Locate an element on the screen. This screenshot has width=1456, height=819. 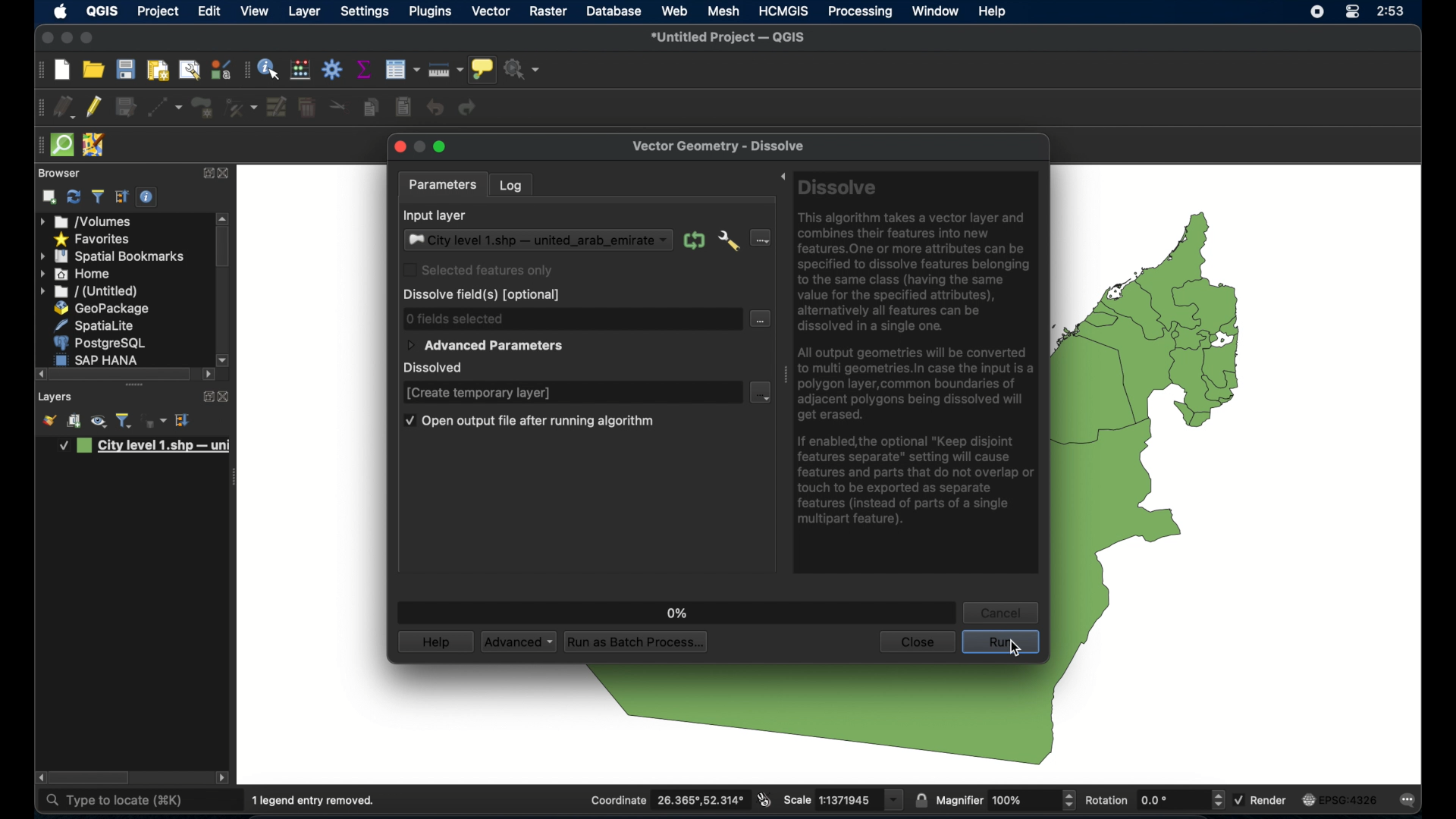
dissolved is located at coordinates (438, 369).